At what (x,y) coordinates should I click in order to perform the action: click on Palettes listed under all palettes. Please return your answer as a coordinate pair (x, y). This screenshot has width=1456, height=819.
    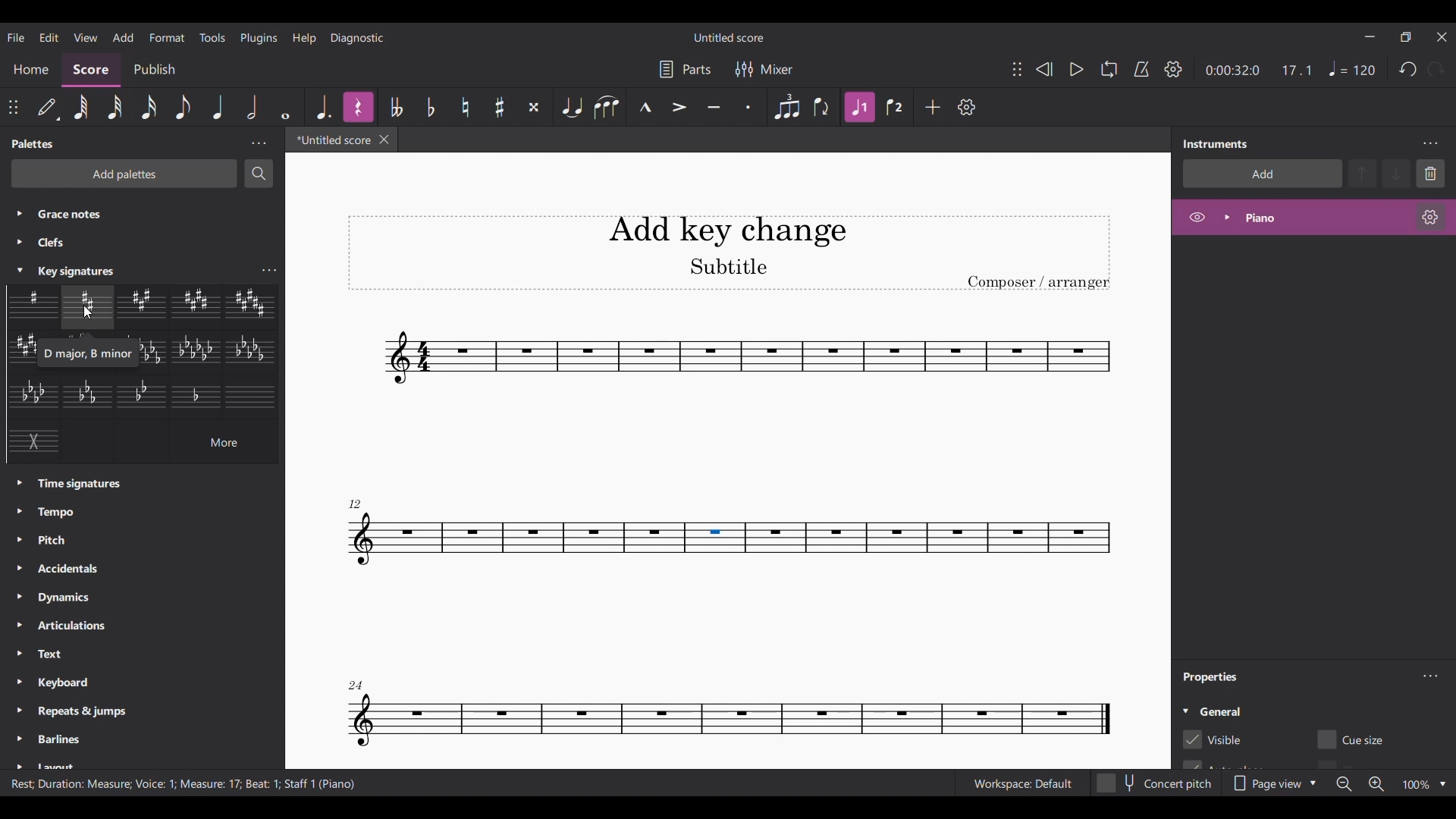
    Looking at the image, I should click on (122, 240).